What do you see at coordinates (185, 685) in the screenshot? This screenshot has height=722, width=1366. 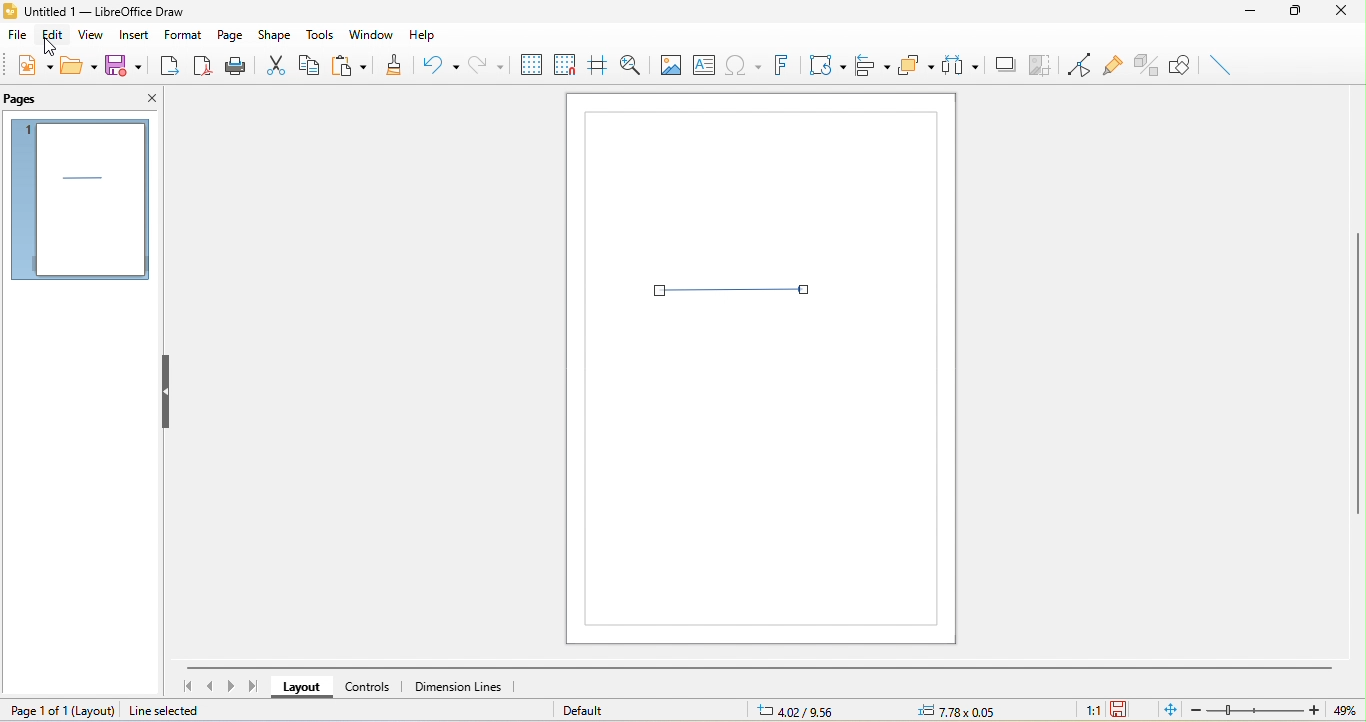 I see `first page` at bounding box center [185, 685].